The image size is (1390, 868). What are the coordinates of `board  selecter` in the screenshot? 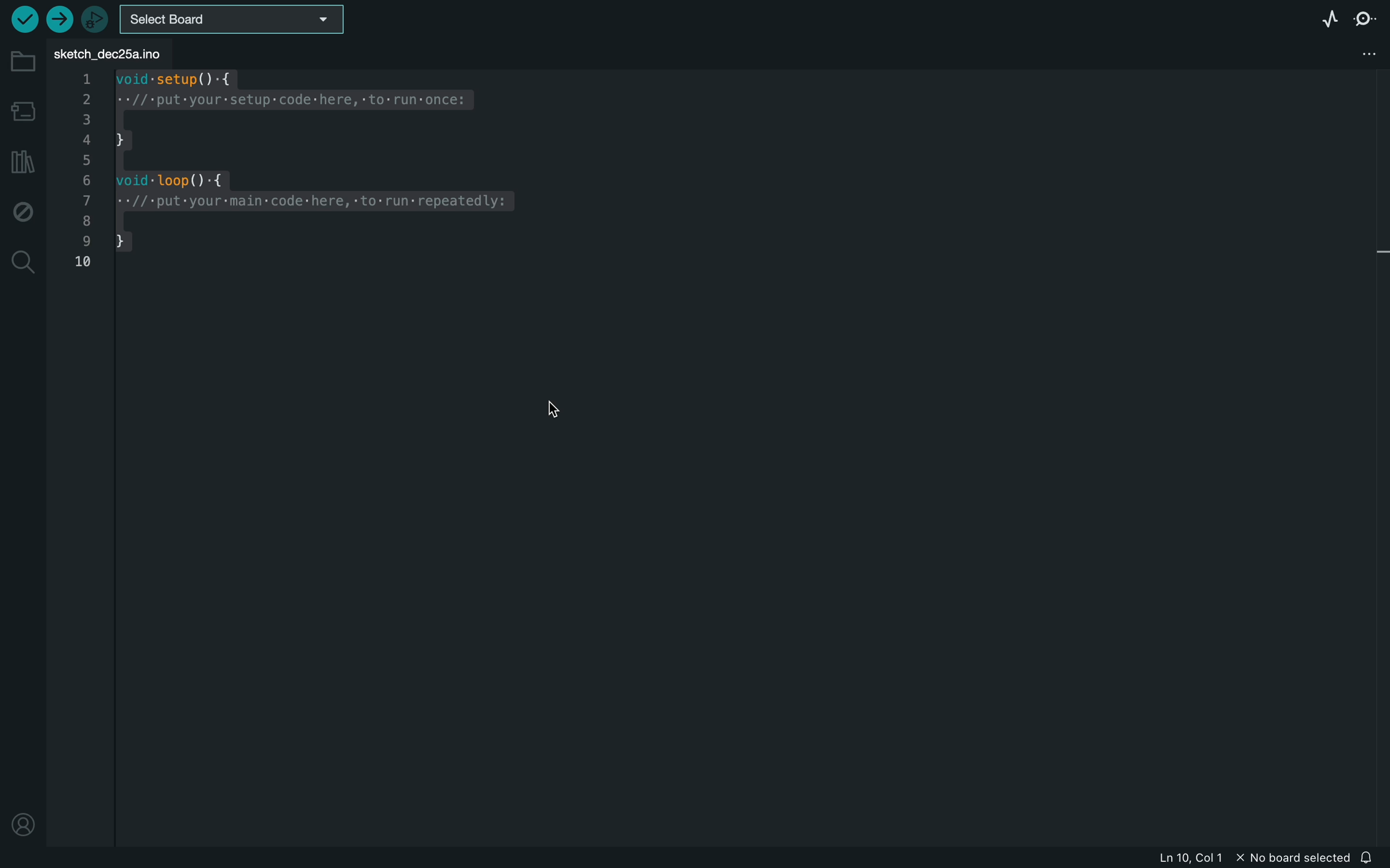 It's located at (234, 21).